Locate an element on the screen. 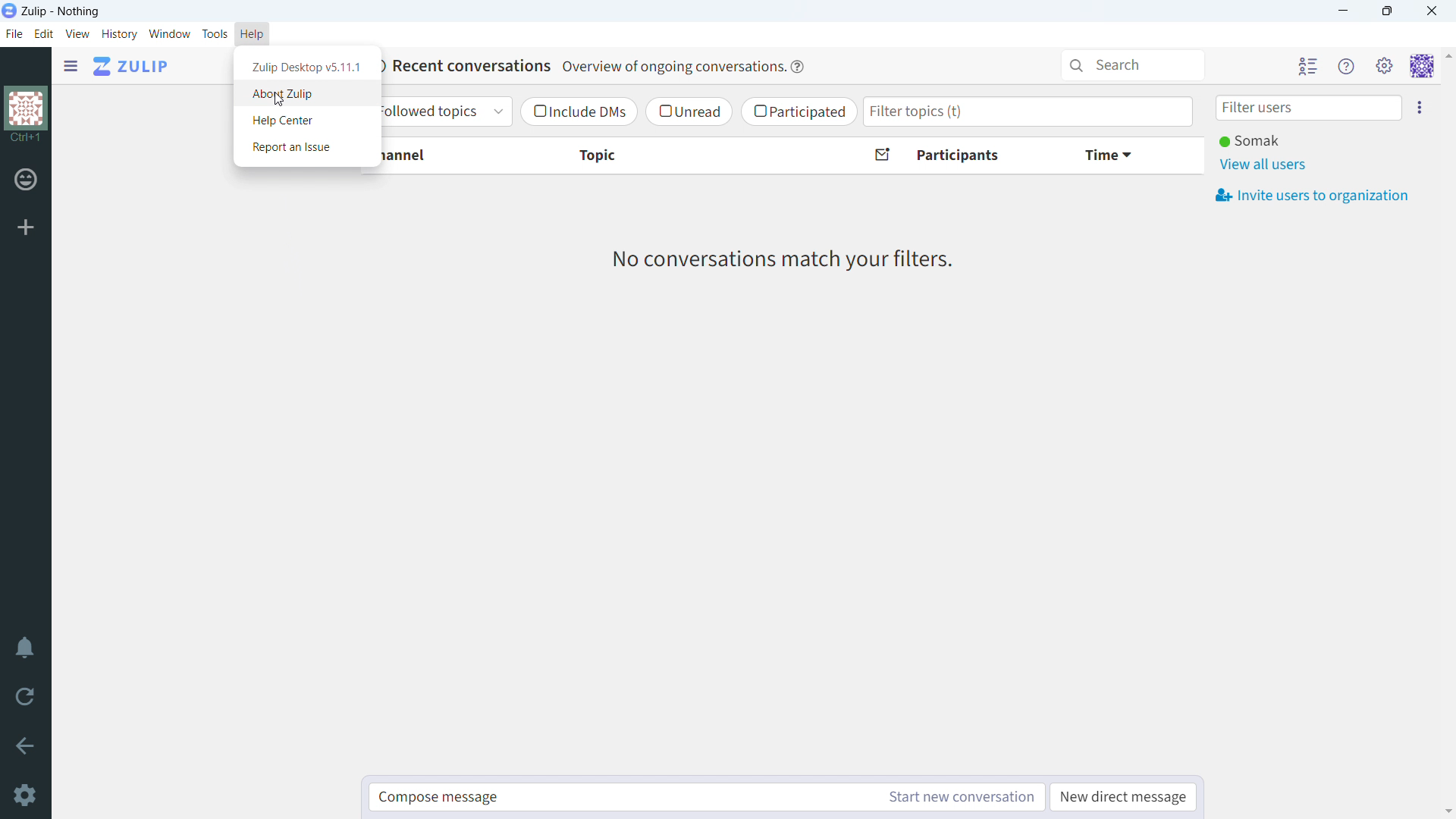  window is located at coordinates (171, 33).